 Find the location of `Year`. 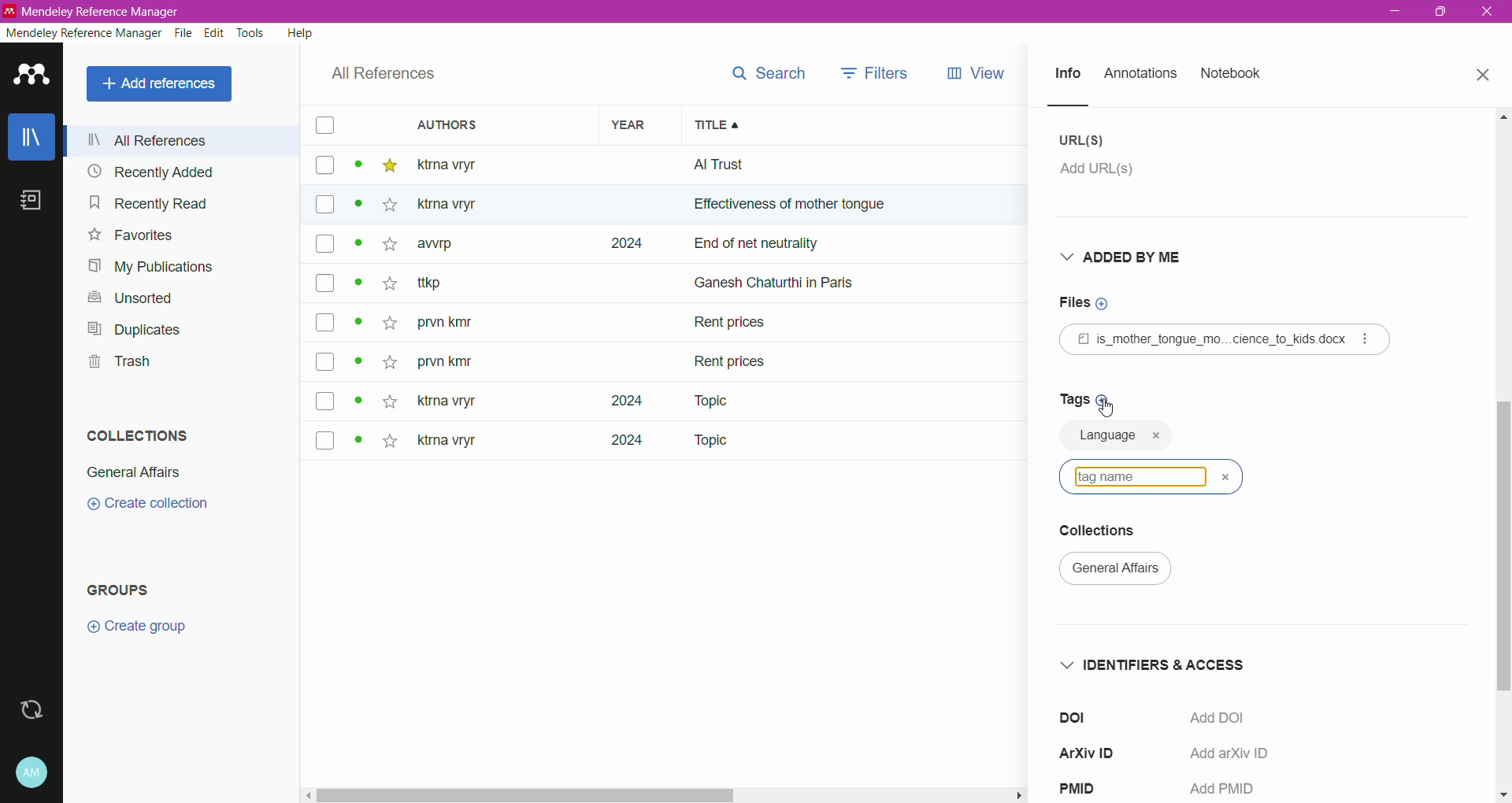

Year is located at coordinates (633, 124).